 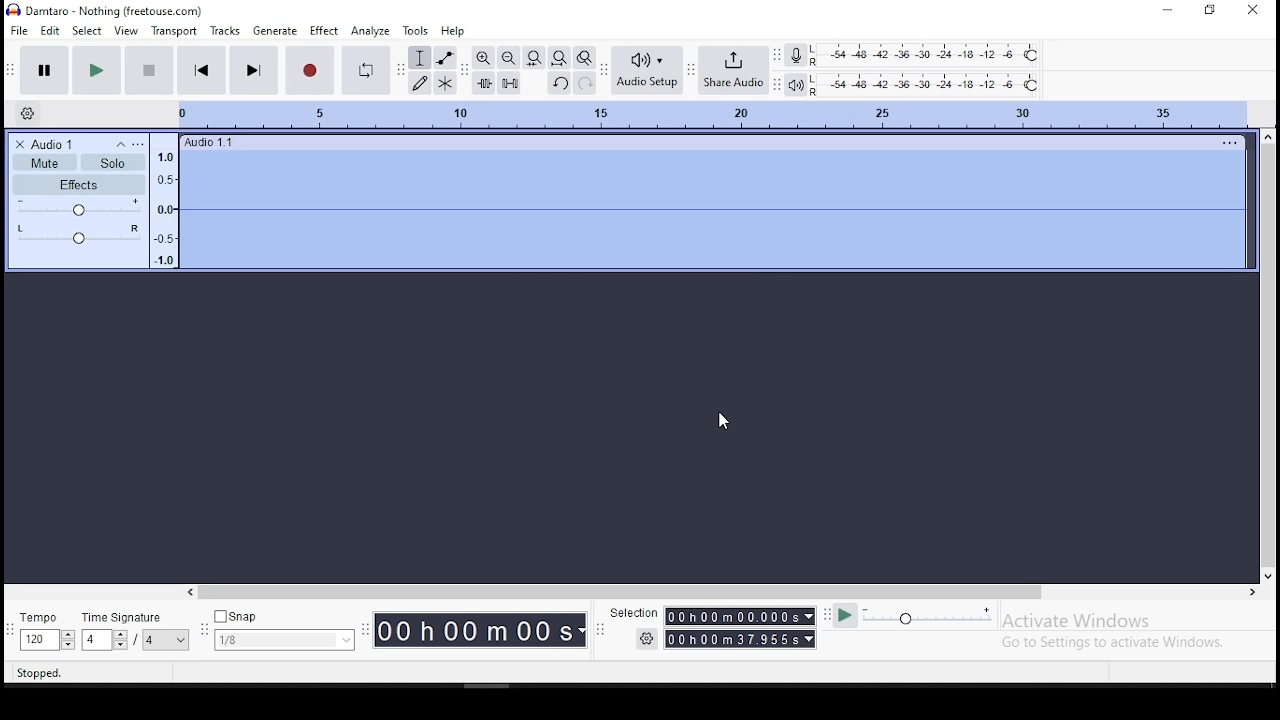 What do you see at coordinates (419, 57) in the screenshot?
I see `selection tool` at bounding box center [419, 57].